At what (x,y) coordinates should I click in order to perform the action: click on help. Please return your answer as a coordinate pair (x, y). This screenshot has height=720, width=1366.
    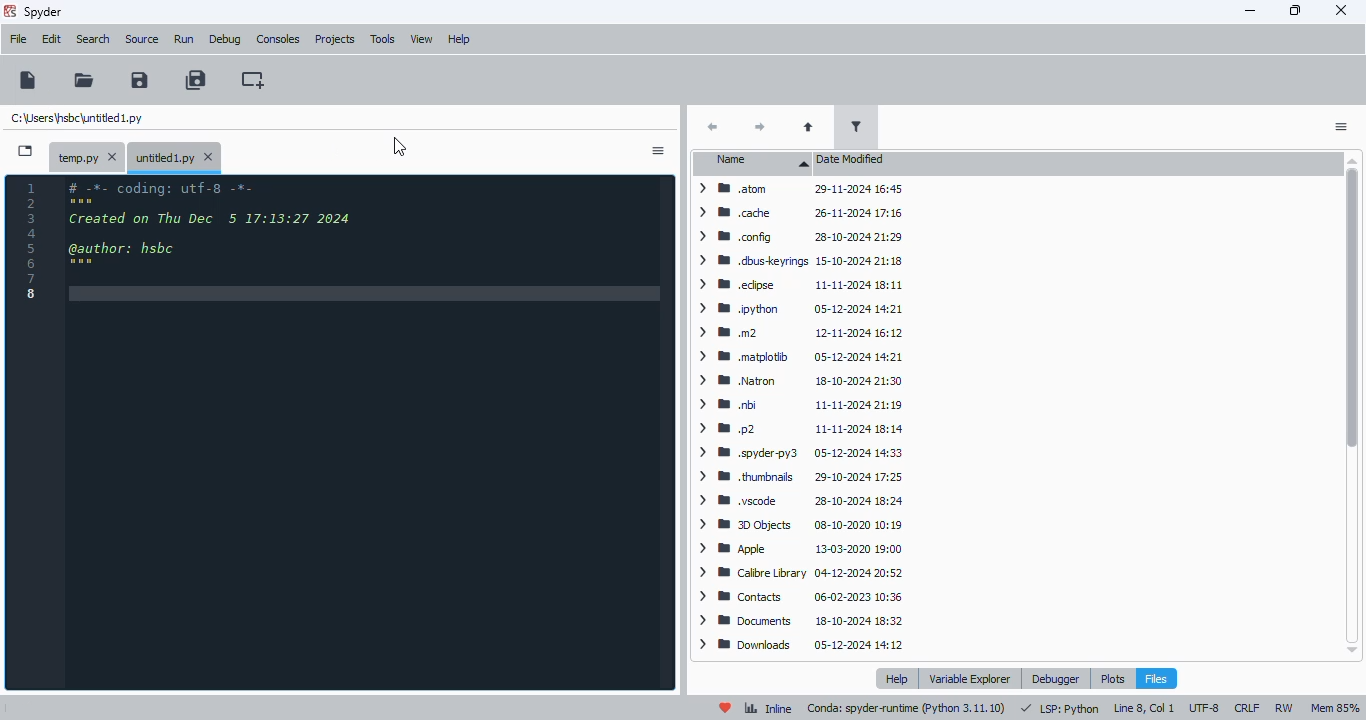
    Looking at the image, I should click on (897, 678).